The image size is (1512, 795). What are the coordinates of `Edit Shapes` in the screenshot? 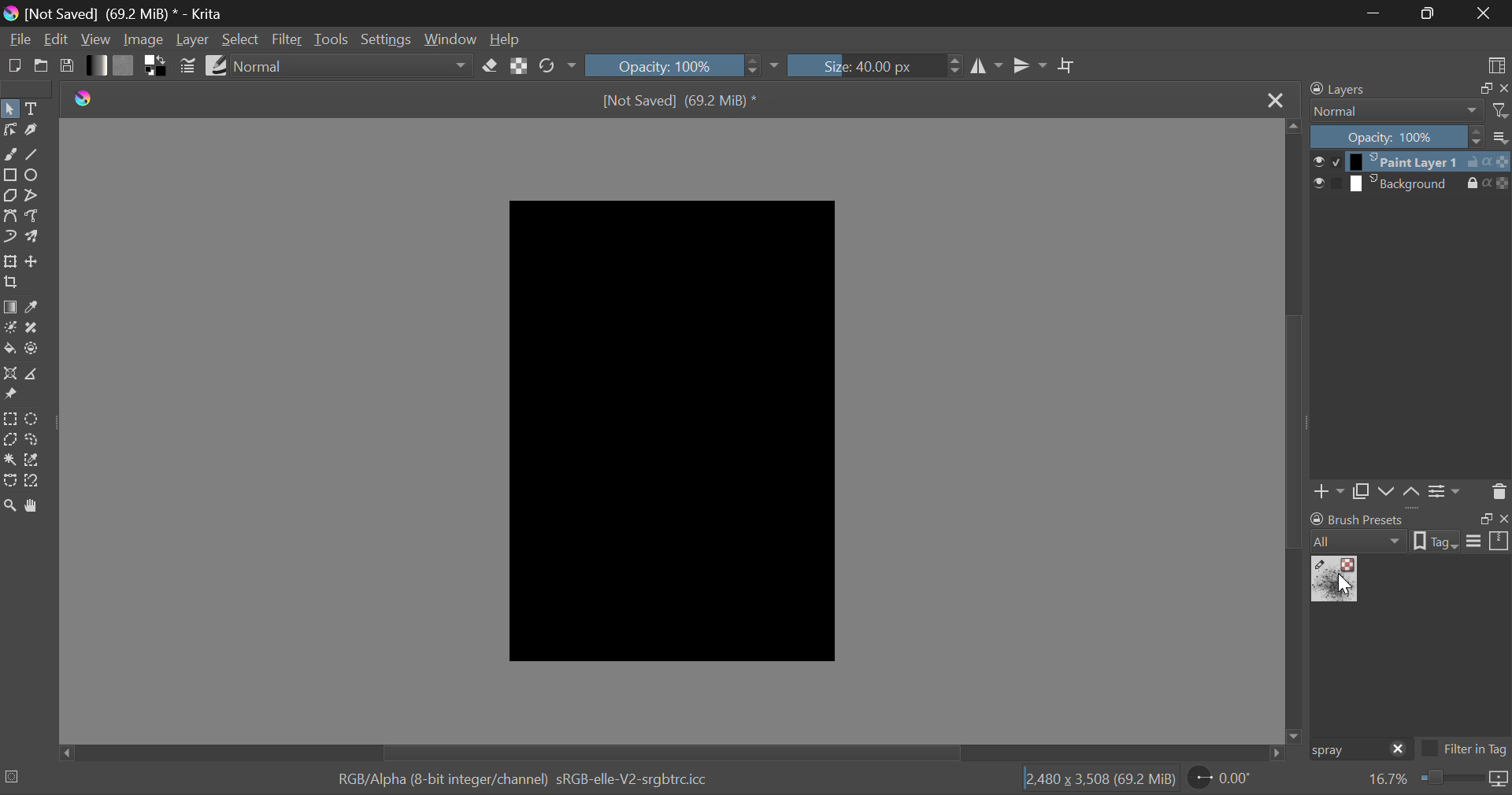 It's located at (11, 130).